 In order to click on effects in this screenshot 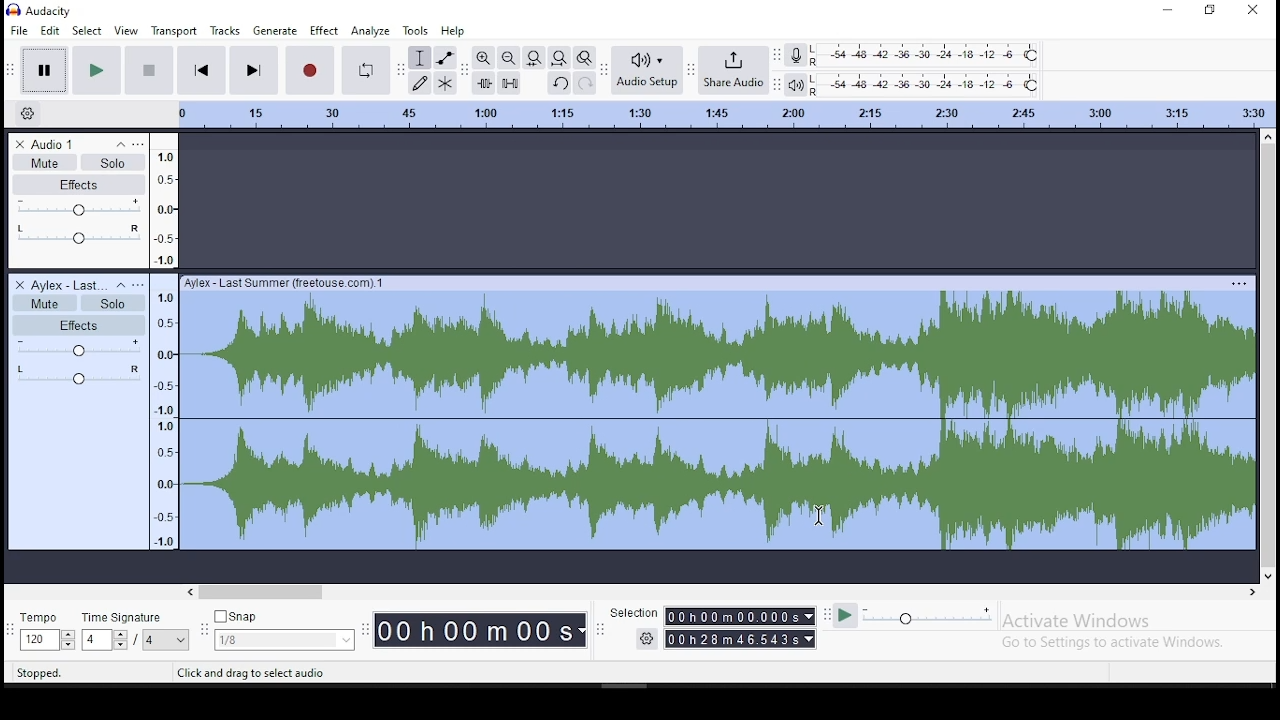, I will do `click(75, 323)`.